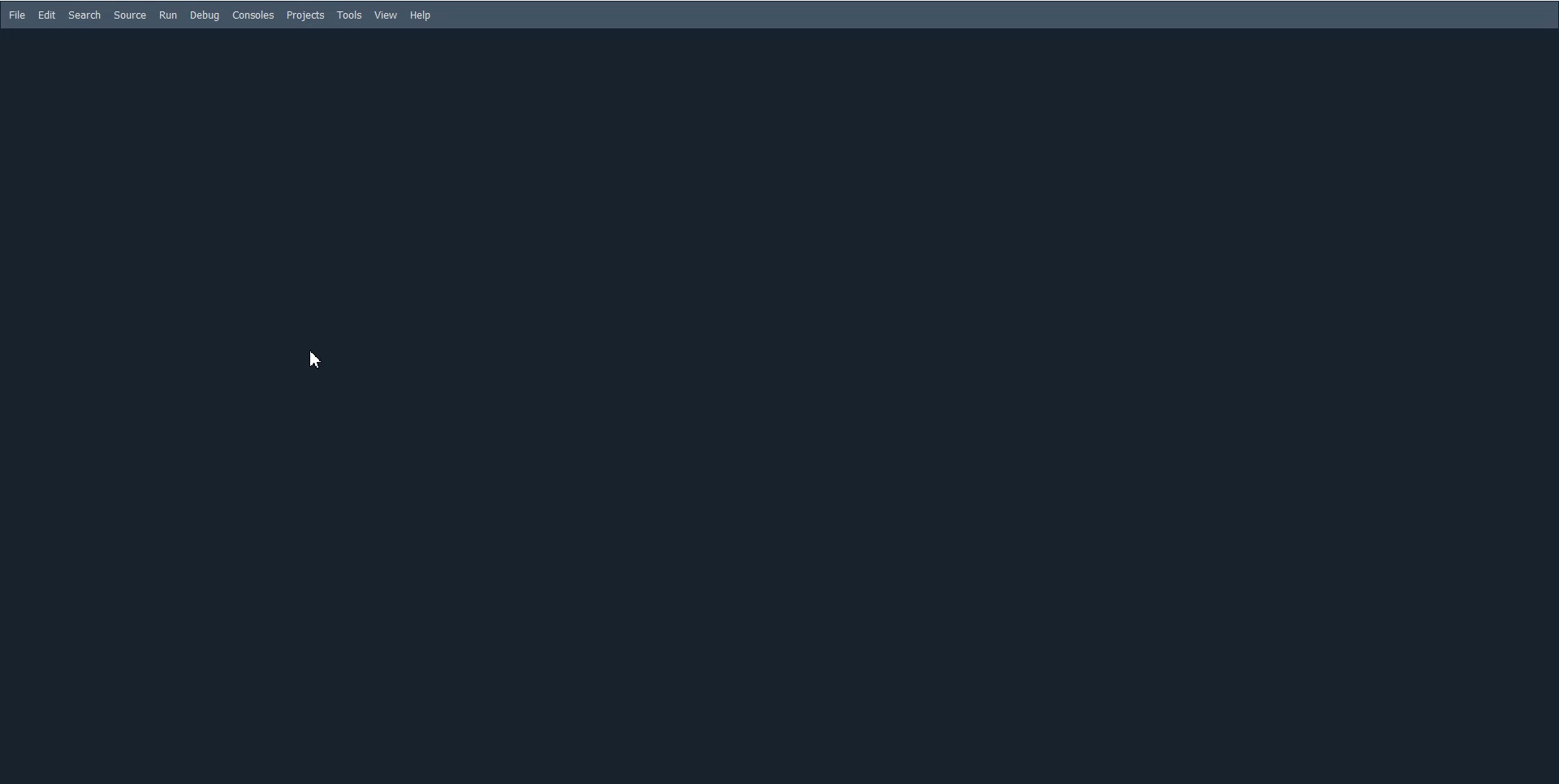  Describe the element at coordinates (167, 15) in the screenshot. I see `Run` at that location.